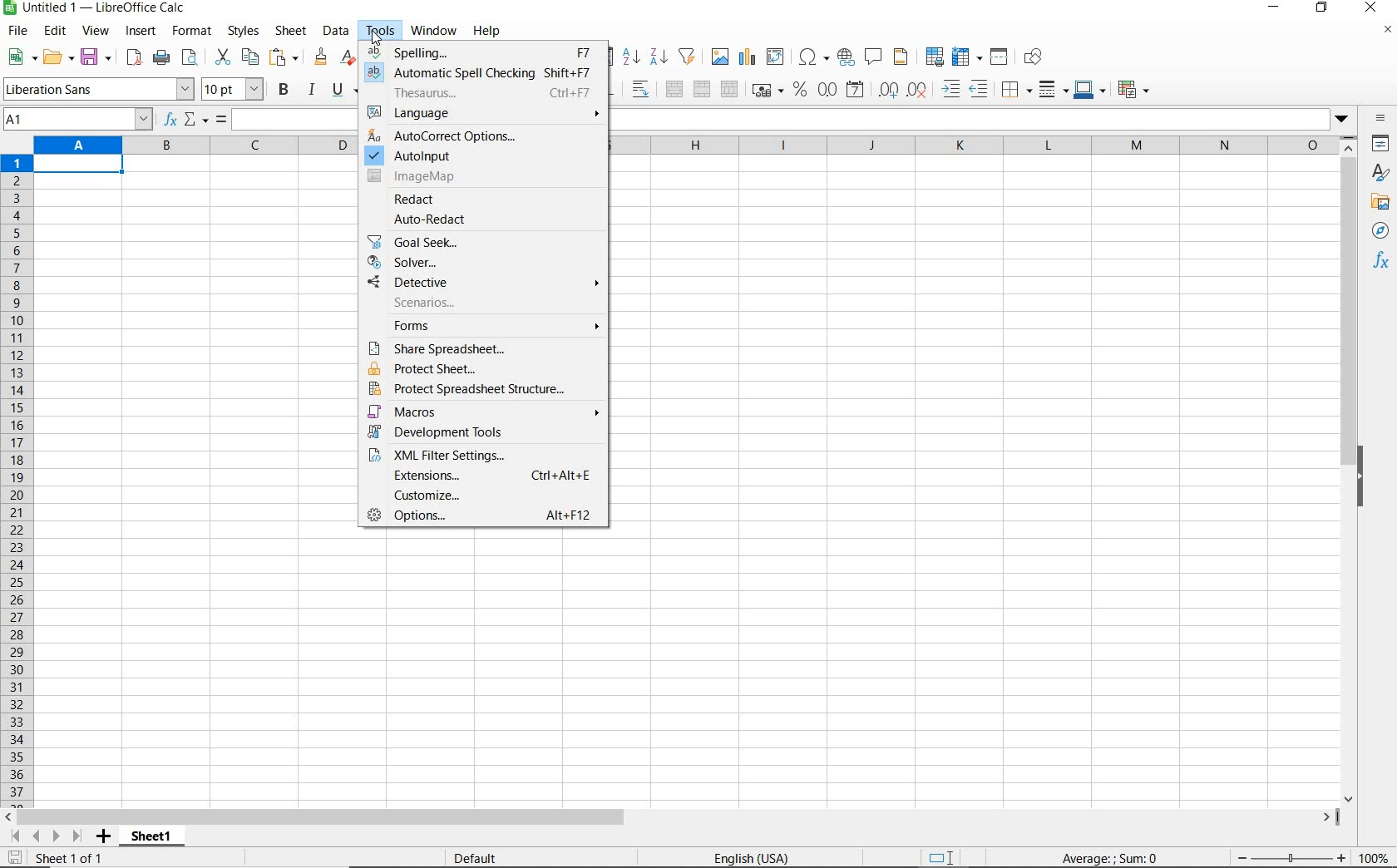 This screenshot has width=1397, height=868. What do you see at coordinates (701, 89) in the screenshot?
I see `merge or center or unmerge cells` at bounding box center [701, 89].